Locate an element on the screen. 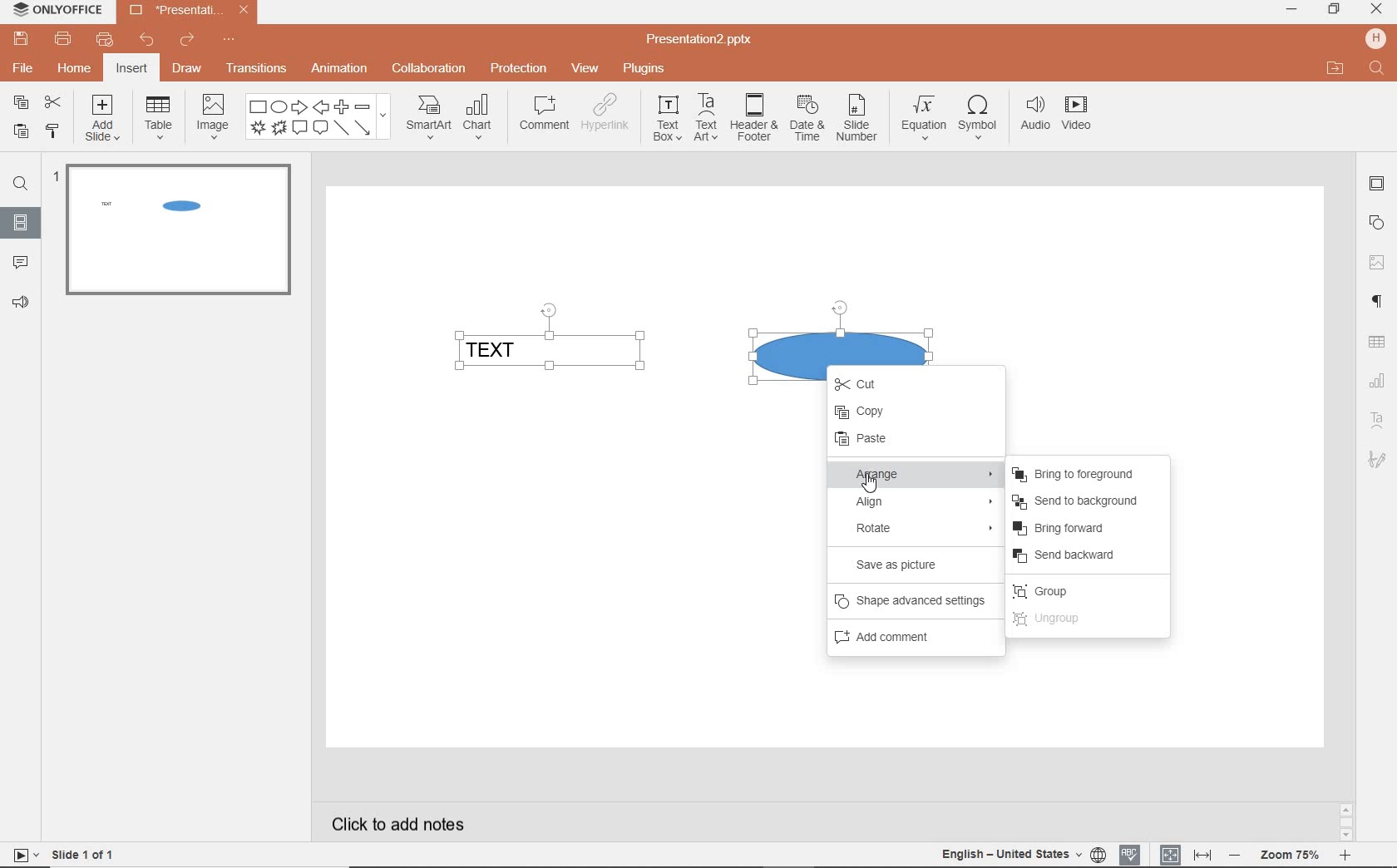 The height and width of the screenshot is (868, 1397). textbox is located at coordinates (665, 119).